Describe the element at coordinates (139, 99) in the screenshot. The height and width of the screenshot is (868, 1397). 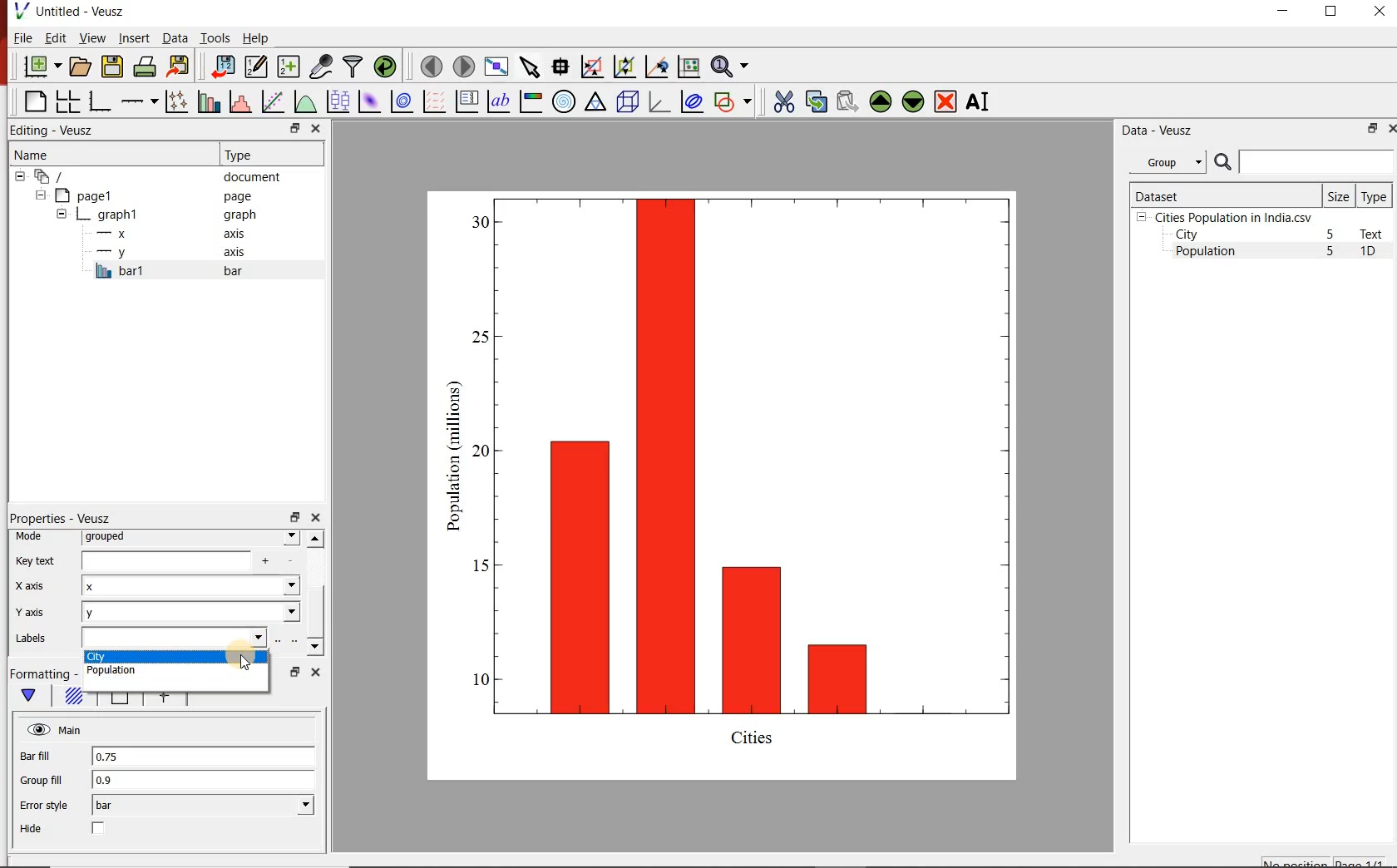
I see `Add an axis to the plot` at that location.